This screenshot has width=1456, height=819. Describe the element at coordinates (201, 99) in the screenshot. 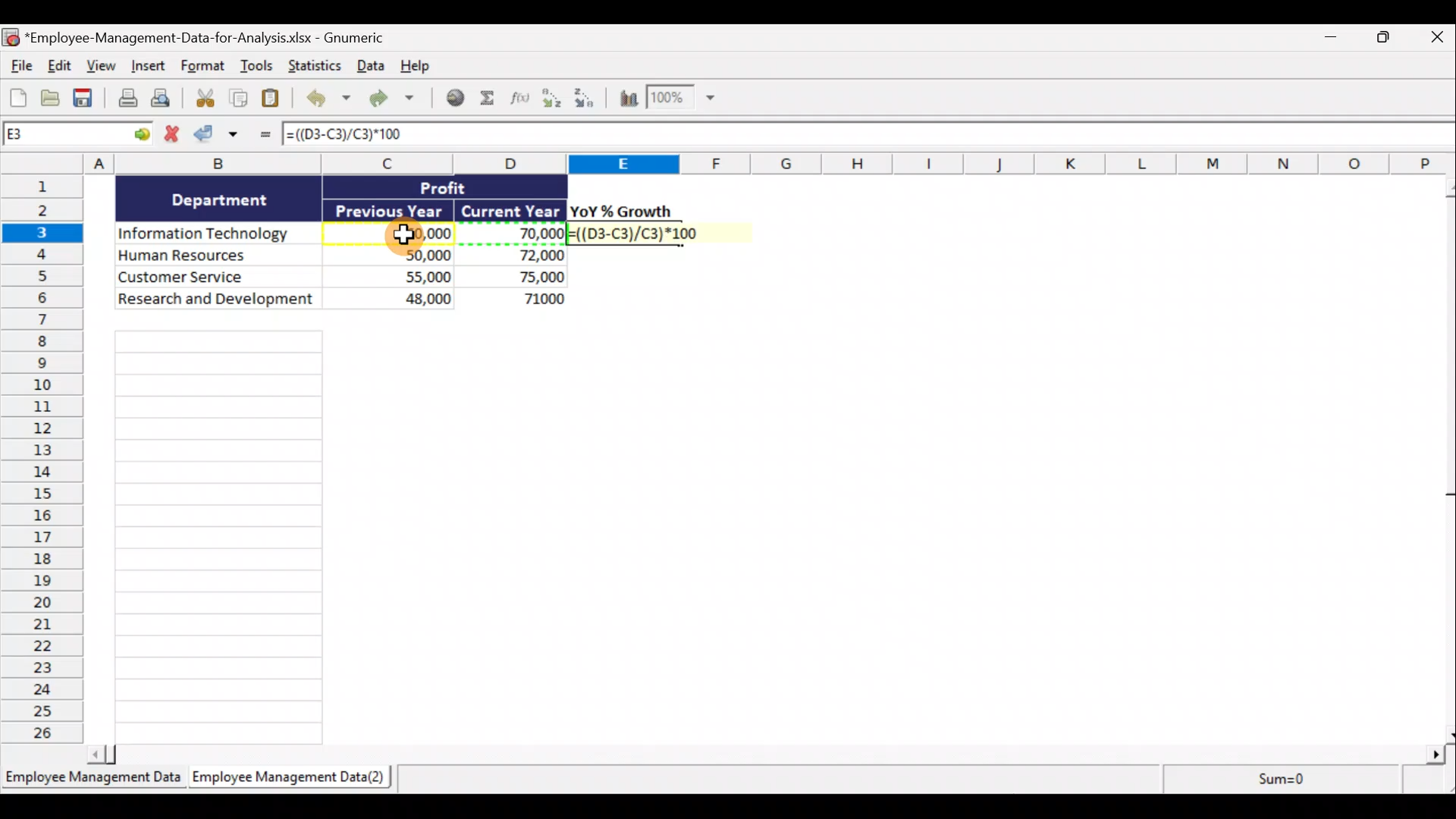

I see `Cut selection` at that location.